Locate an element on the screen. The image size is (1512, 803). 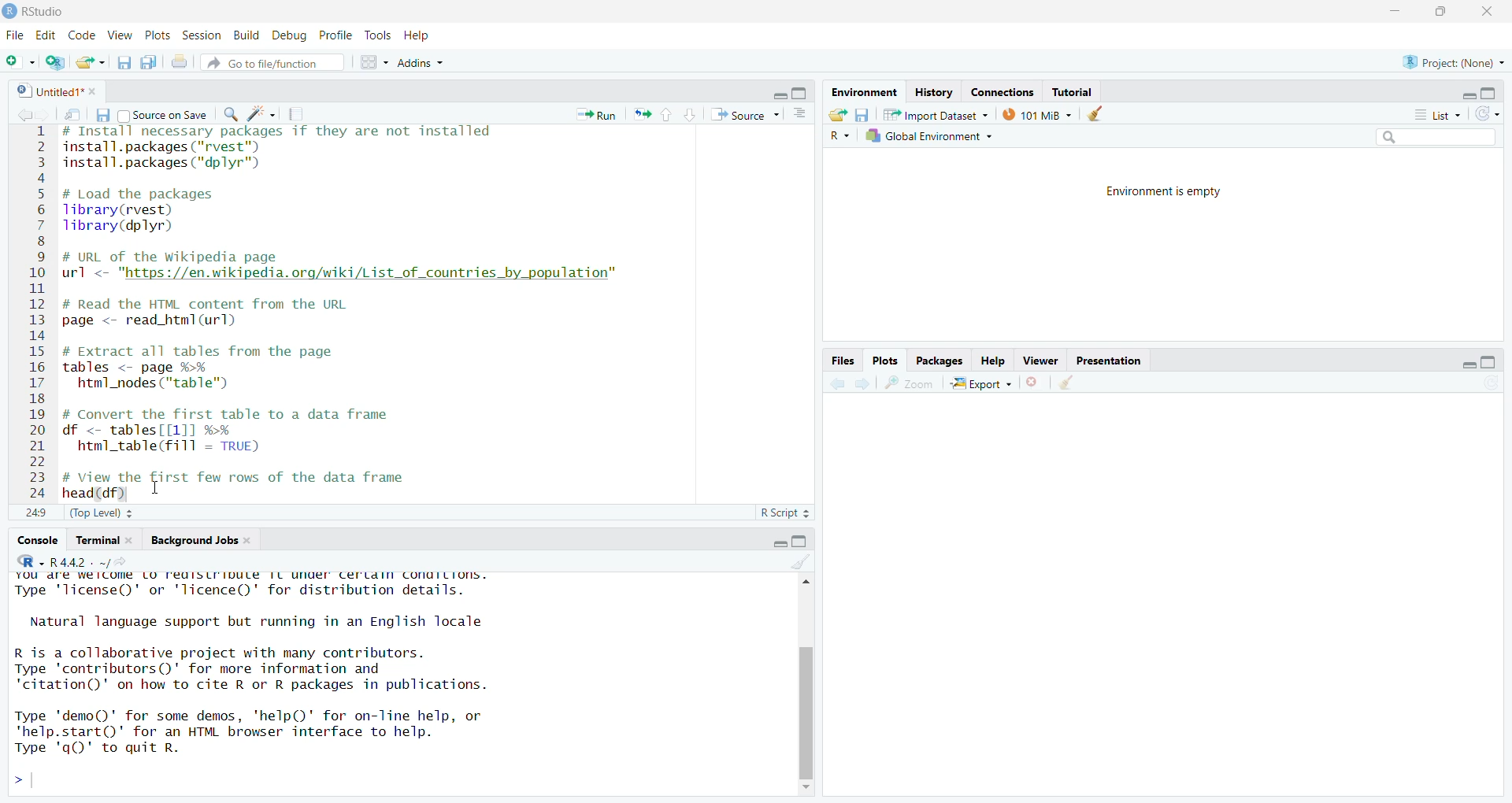
# Extract all tables from the page tables <- page %>% htm1_nodes ("table") is located at coordinates (212, 368).